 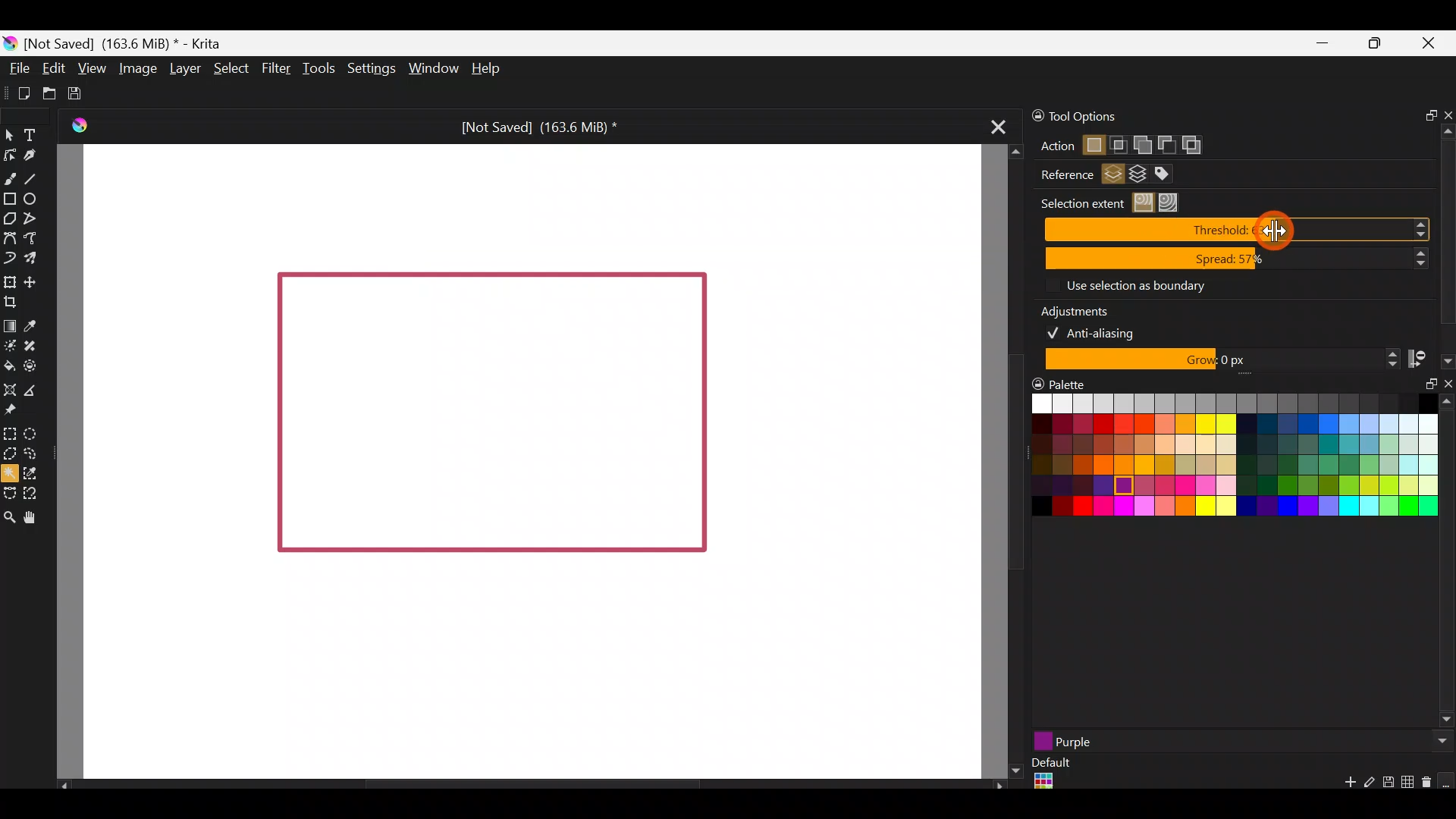 I want to click on Text tool, so click(x=31, y=133).